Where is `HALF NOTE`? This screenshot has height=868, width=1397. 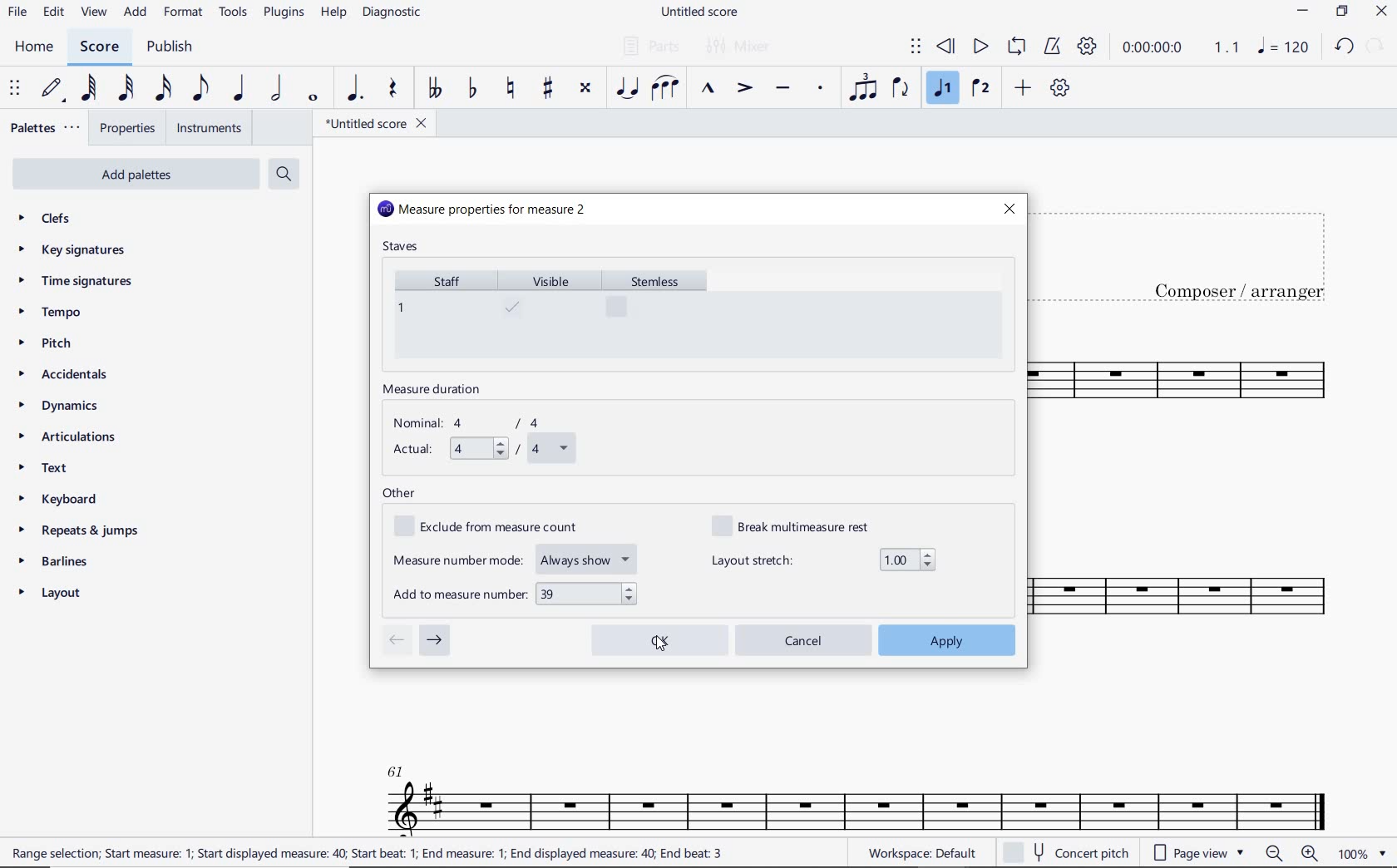 HALF NOTE is located at coordinates (278, 89).